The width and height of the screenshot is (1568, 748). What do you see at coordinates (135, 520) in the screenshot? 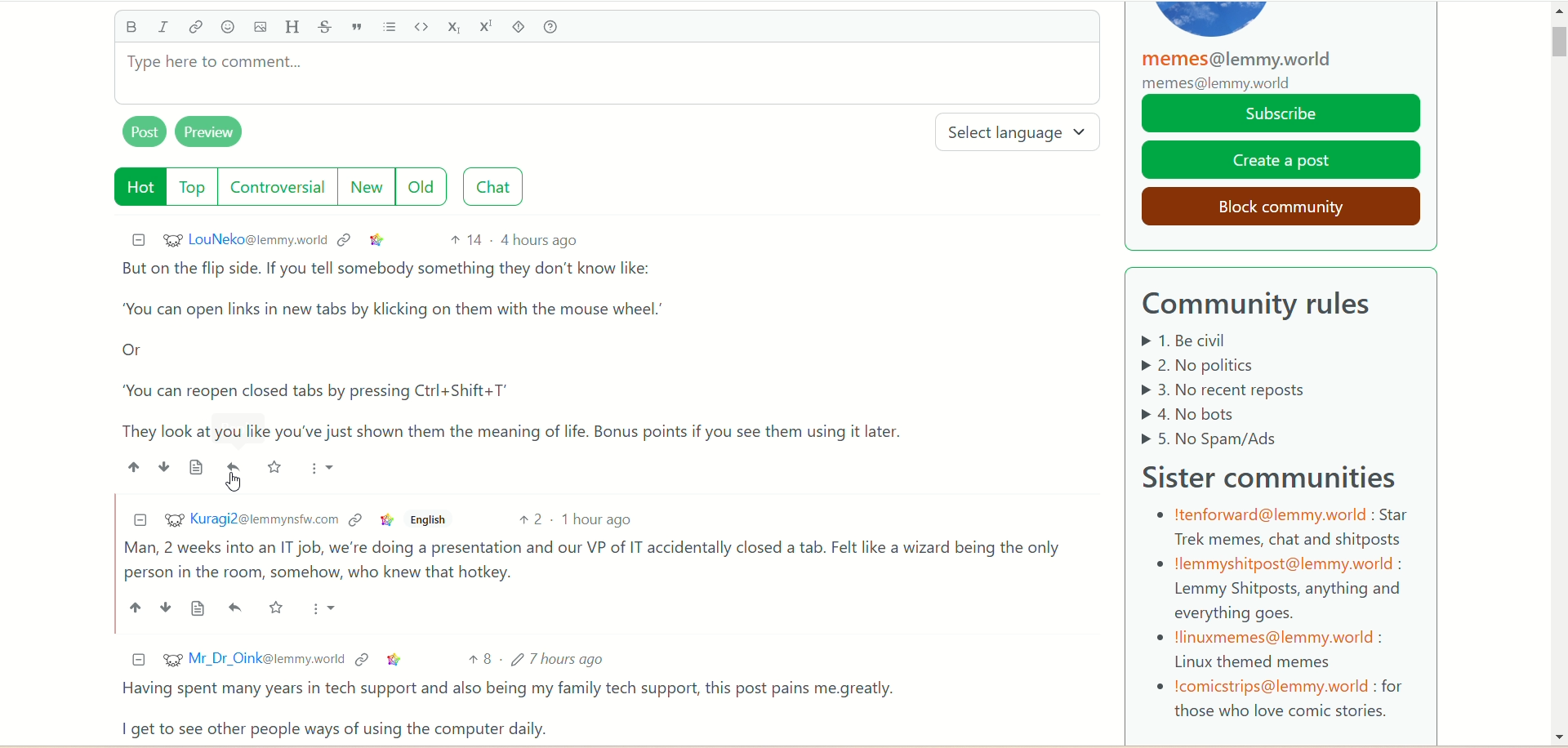
I see `minimize` at bounding box center [135, 520].